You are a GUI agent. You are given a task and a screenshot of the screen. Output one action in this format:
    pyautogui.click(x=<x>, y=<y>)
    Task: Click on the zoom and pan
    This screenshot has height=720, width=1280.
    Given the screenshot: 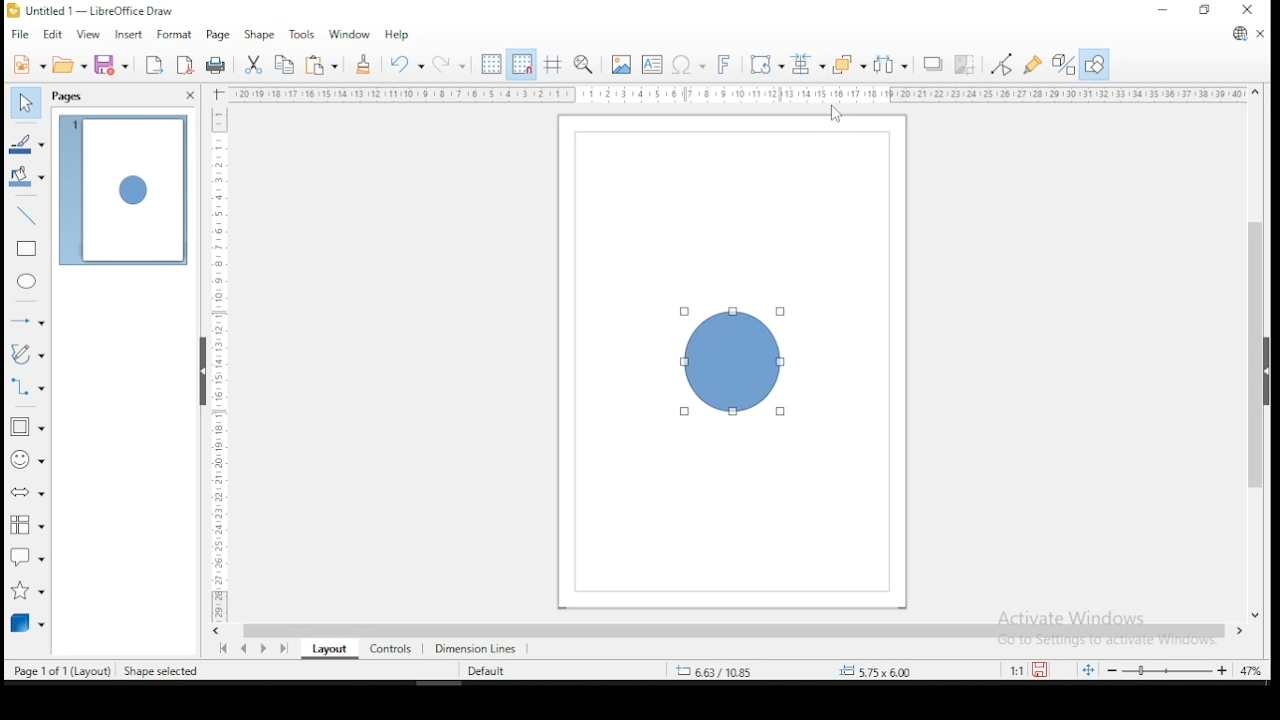 What is the action you would take?
    pyautogui.click(x=584, y=64)
    